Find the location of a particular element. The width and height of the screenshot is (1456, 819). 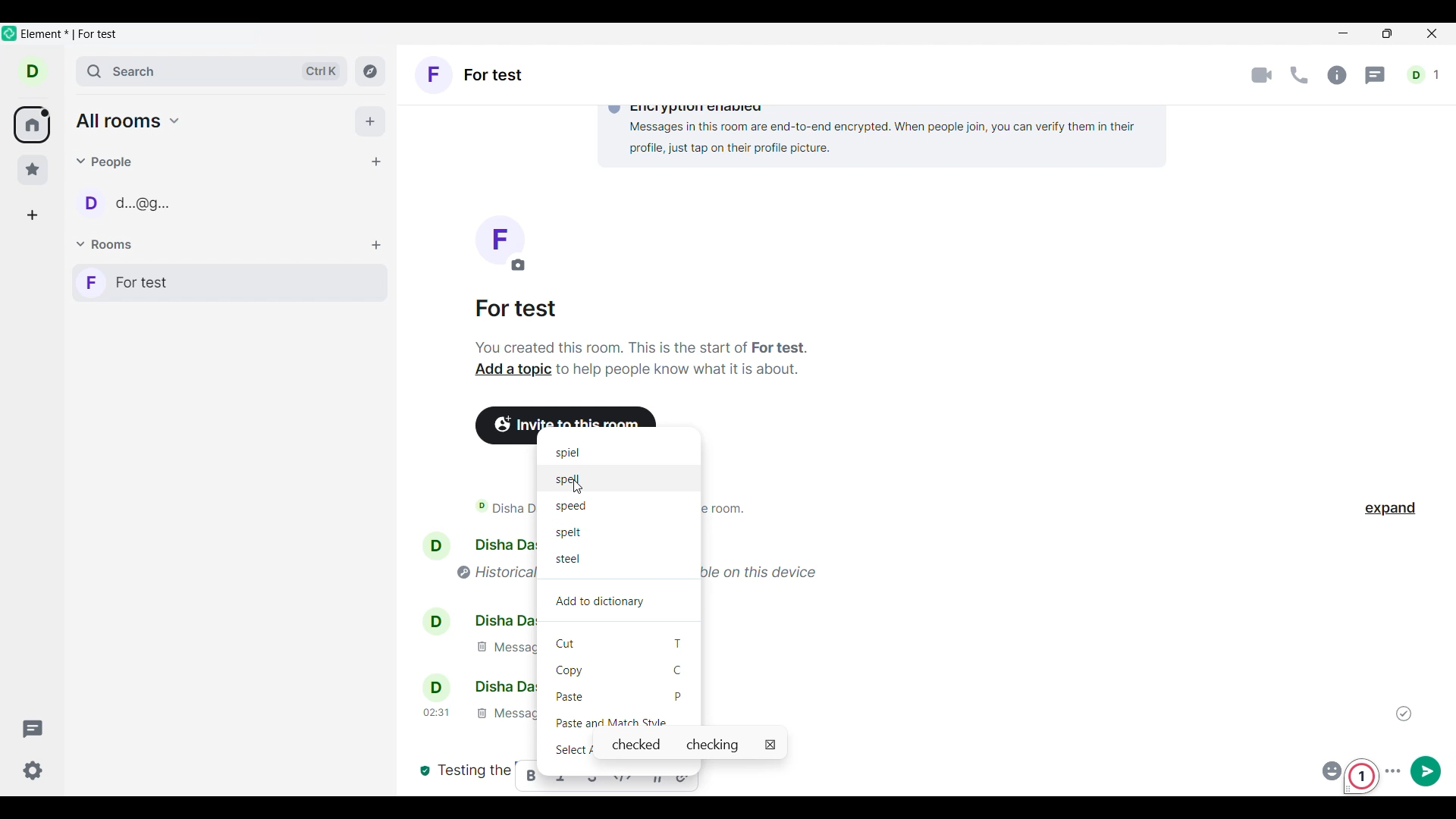

Show all rooms is located at coordinates (129, 121).